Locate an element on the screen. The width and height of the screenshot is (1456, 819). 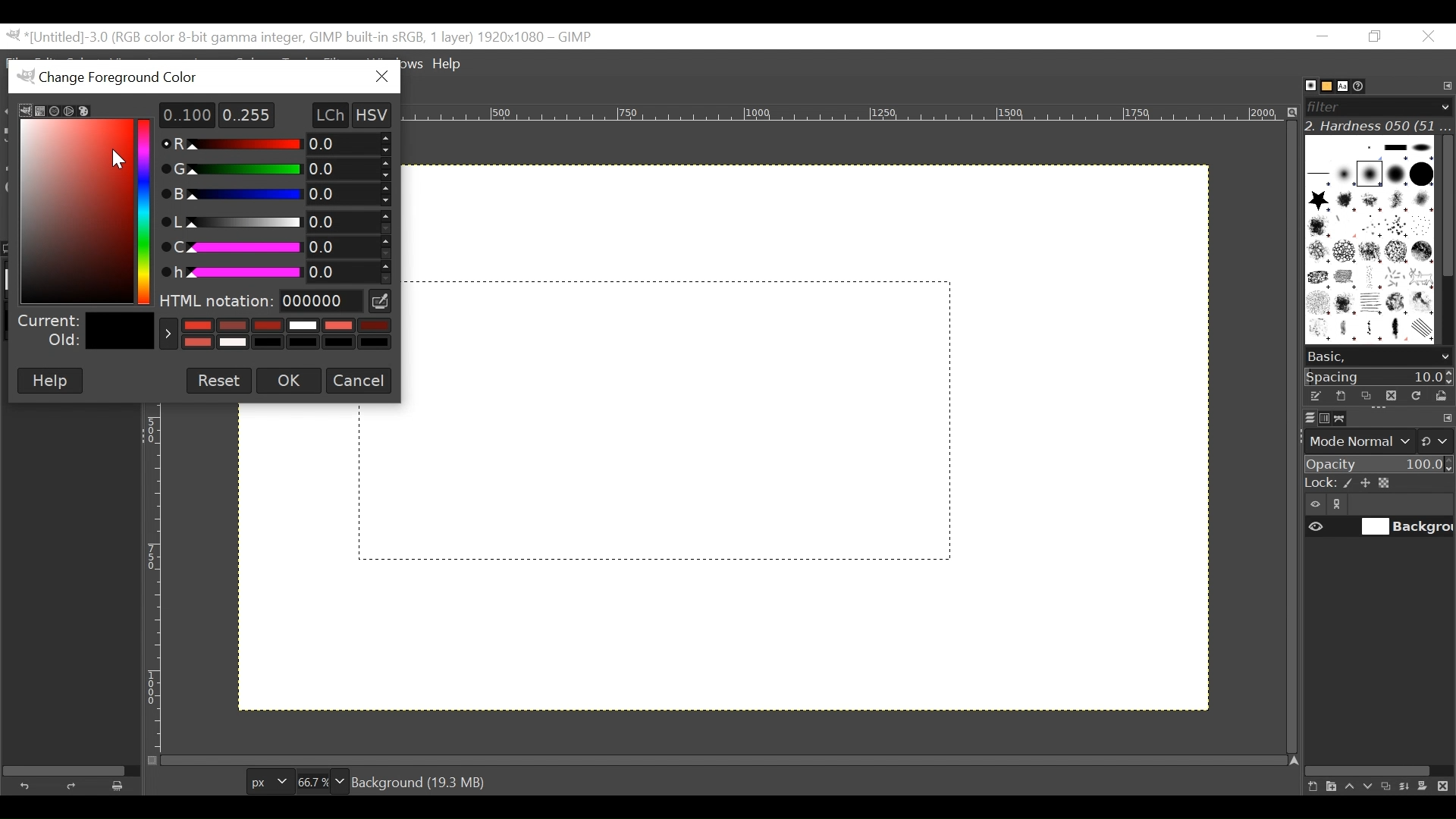
Opacity is located at coordinates (1377, 465).